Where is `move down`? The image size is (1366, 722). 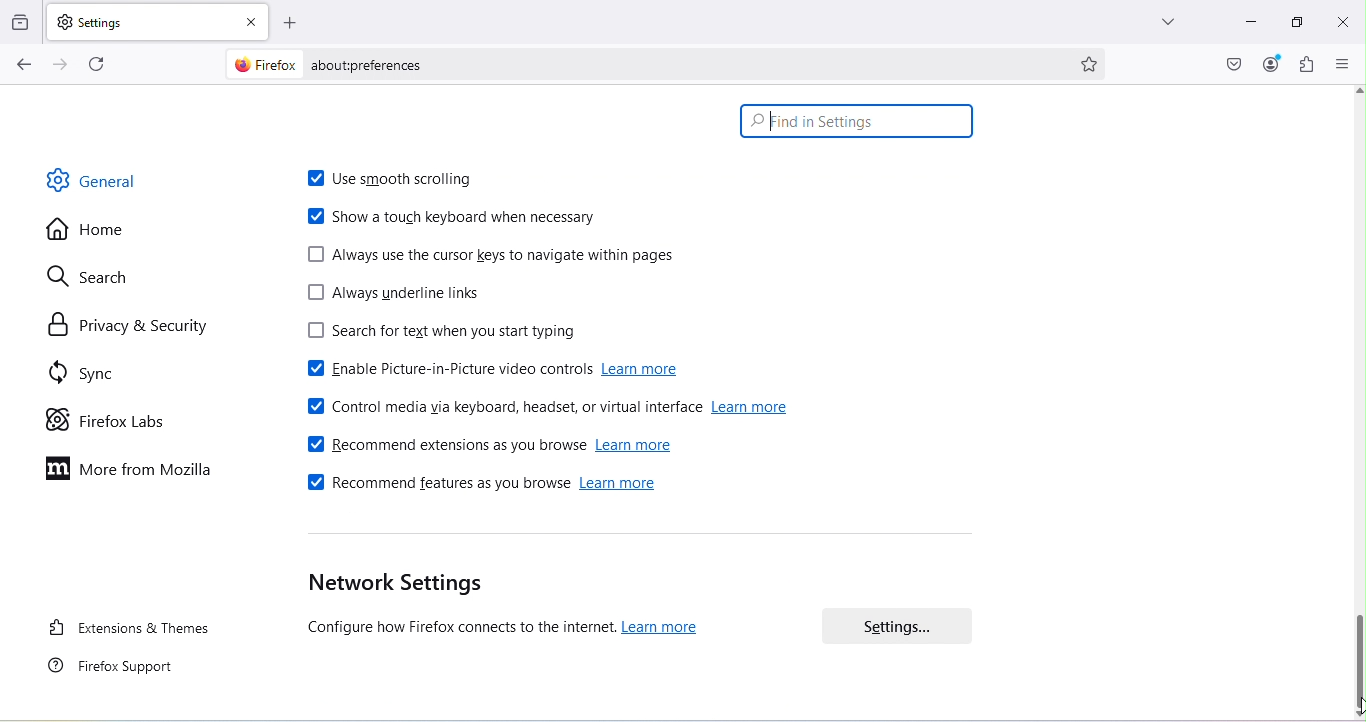
move down is located at coordinates (1357, 715).